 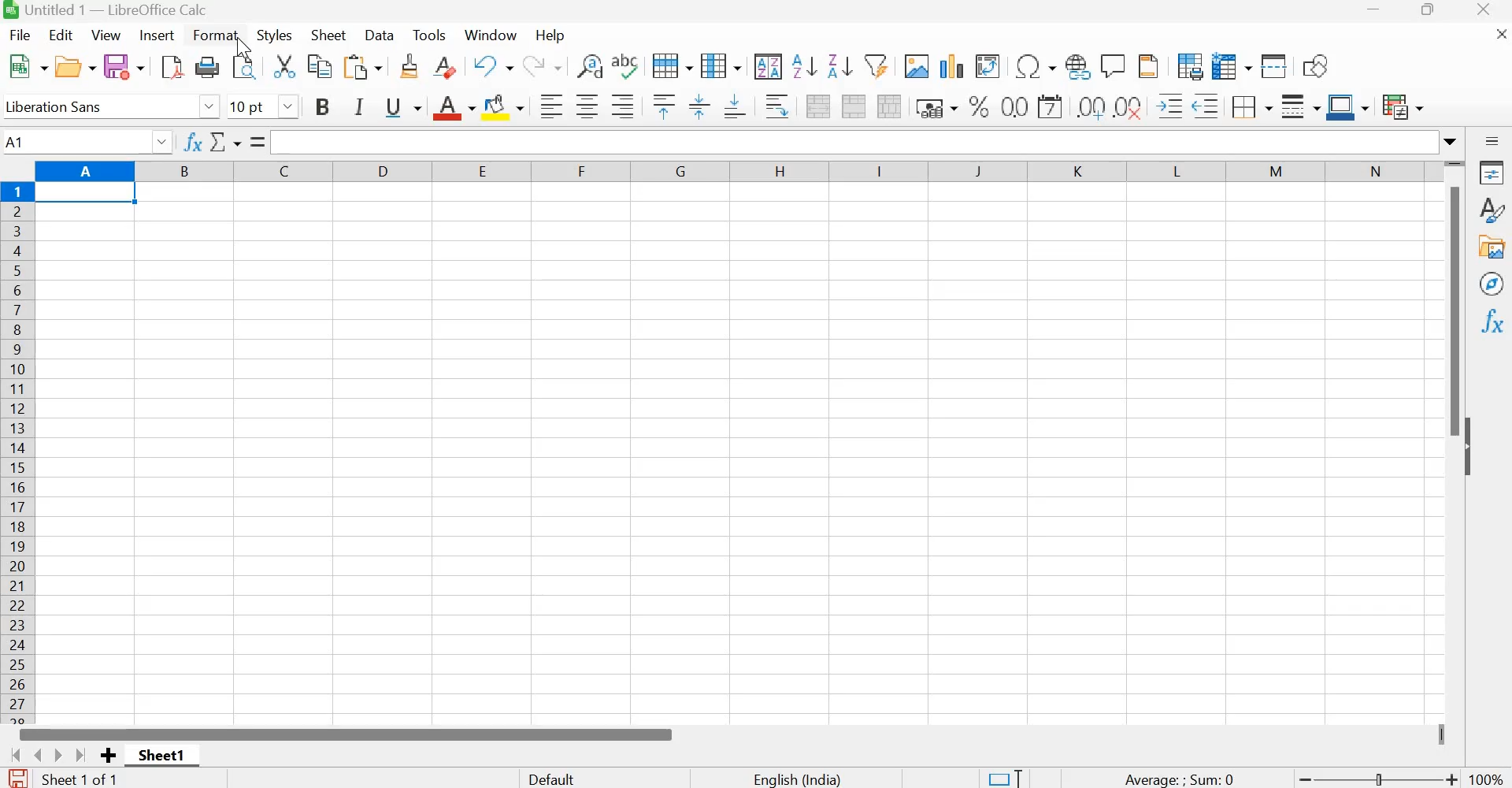 I want to click on bold, so click(x=324, y=106).